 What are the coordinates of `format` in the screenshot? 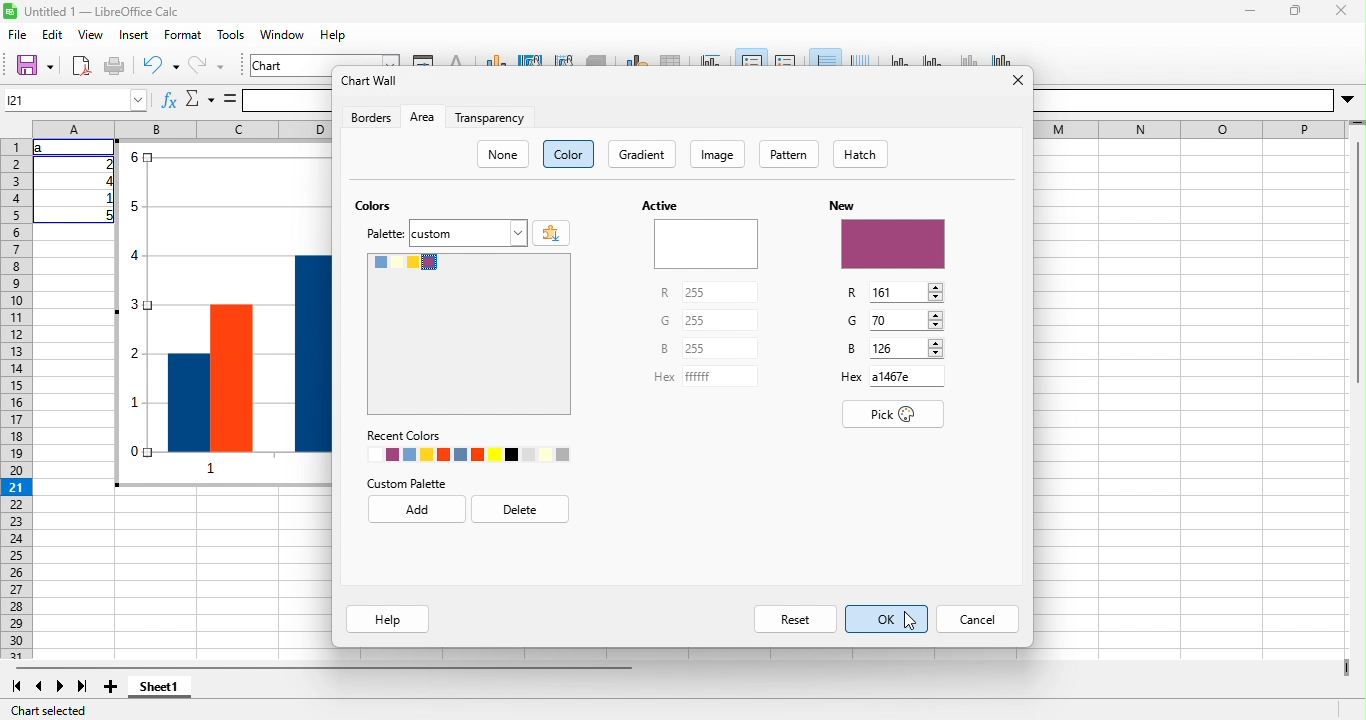 It's located at (183, 34).